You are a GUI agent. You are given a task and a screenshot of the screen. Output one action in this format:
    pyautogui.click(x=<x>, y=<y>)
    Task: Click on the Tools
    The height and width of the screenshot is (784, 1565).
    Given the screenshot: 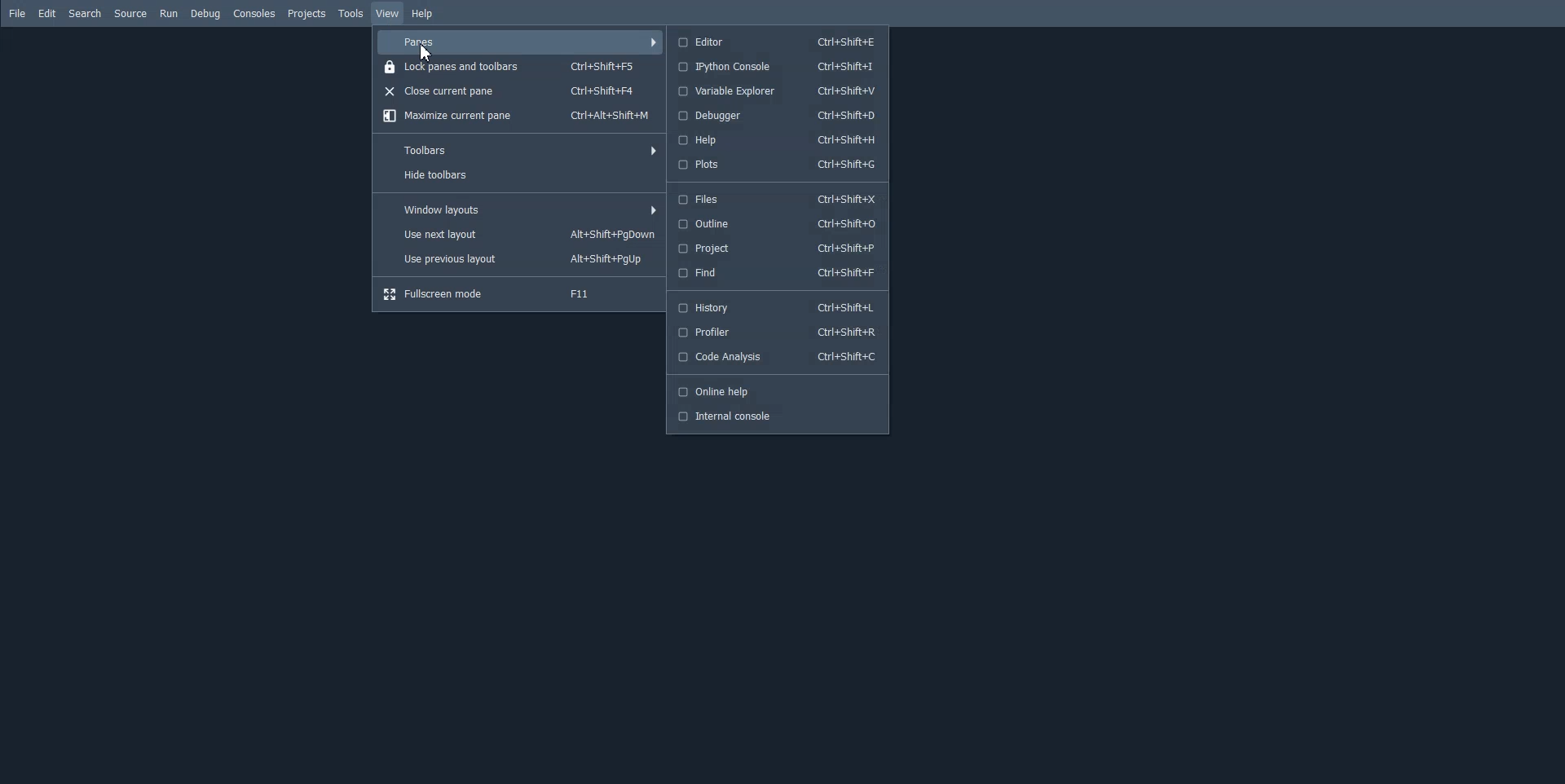 What is the action you would take?
    pyautogui.click(x=350, y=13)
    